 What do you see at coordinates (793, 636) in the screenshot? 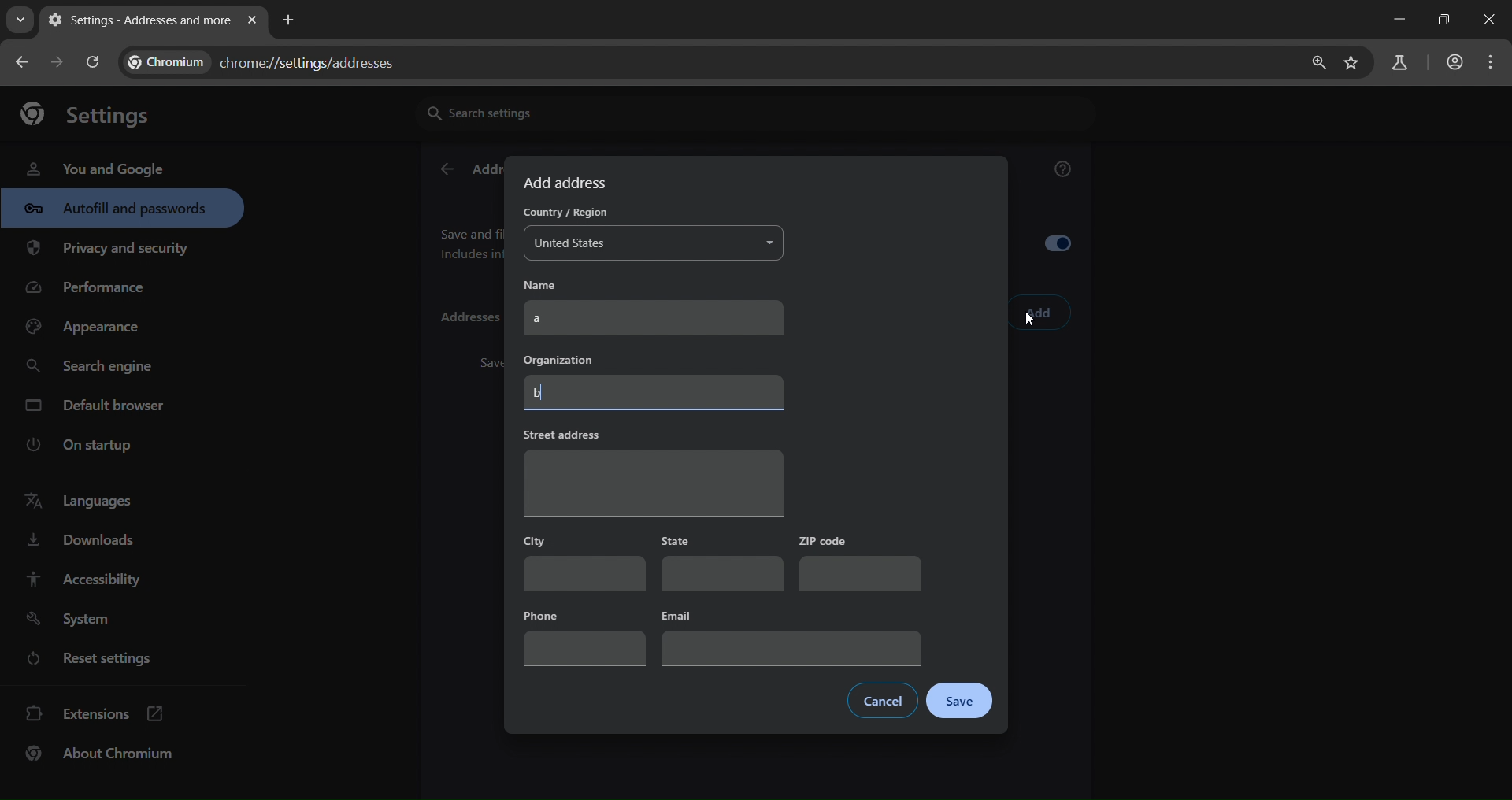
I see `email` at bounding box center [793, 636].